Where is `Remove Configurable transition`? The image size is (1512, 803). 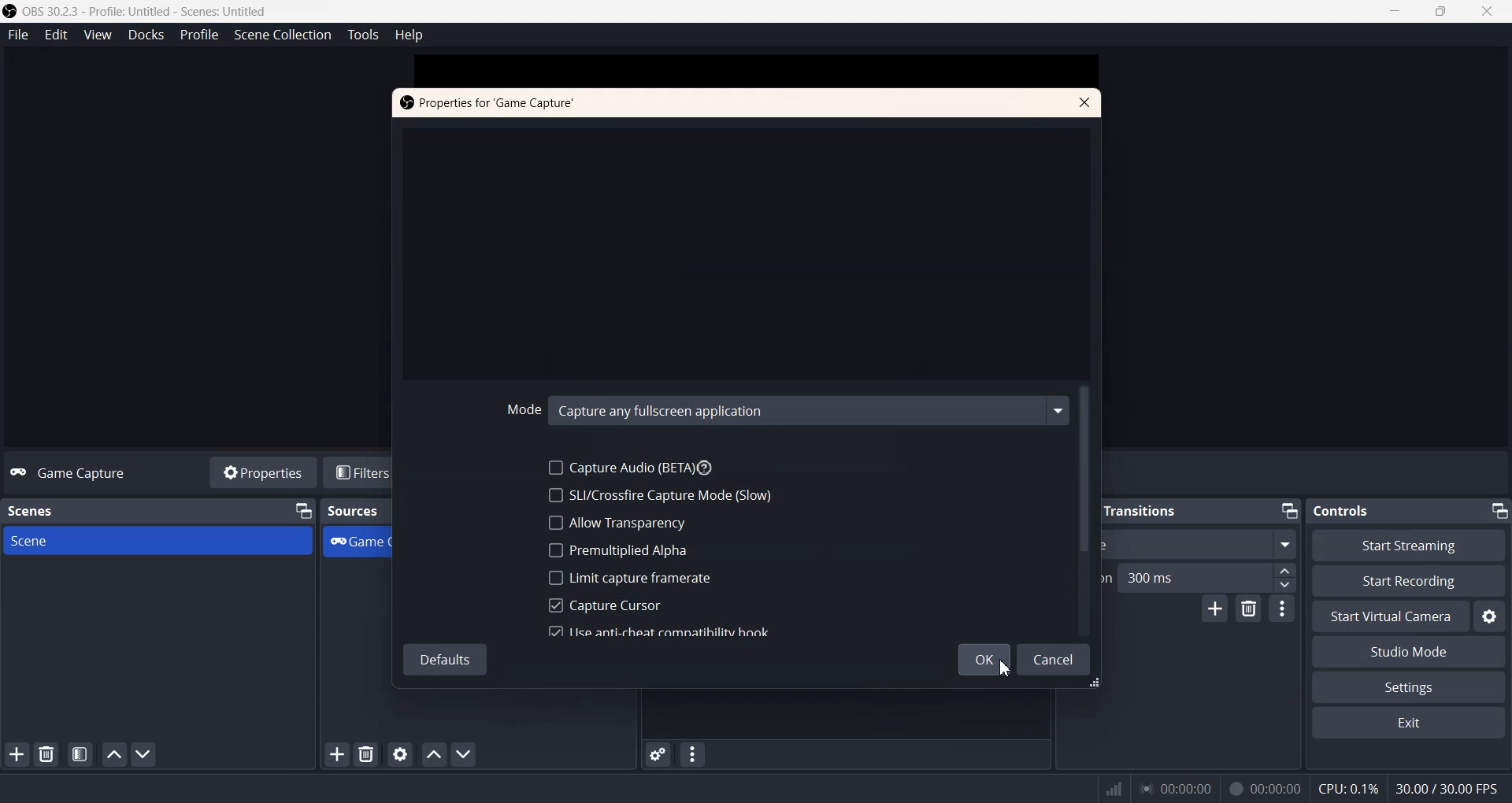
Remove Configurable transition is located at coordinates (1247, 609).